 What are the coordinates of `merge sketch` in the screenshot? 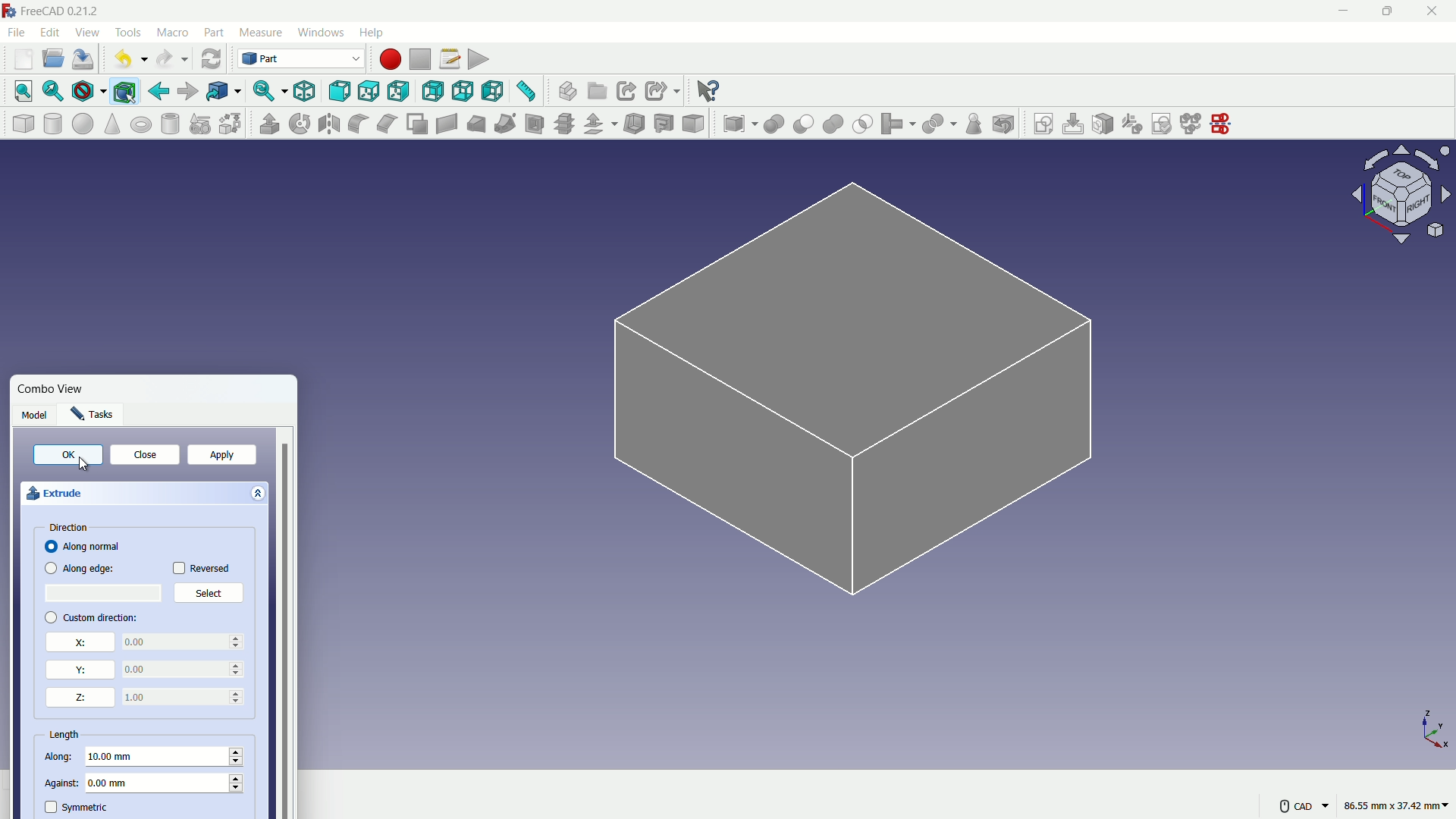 It's located at (1191, 123).